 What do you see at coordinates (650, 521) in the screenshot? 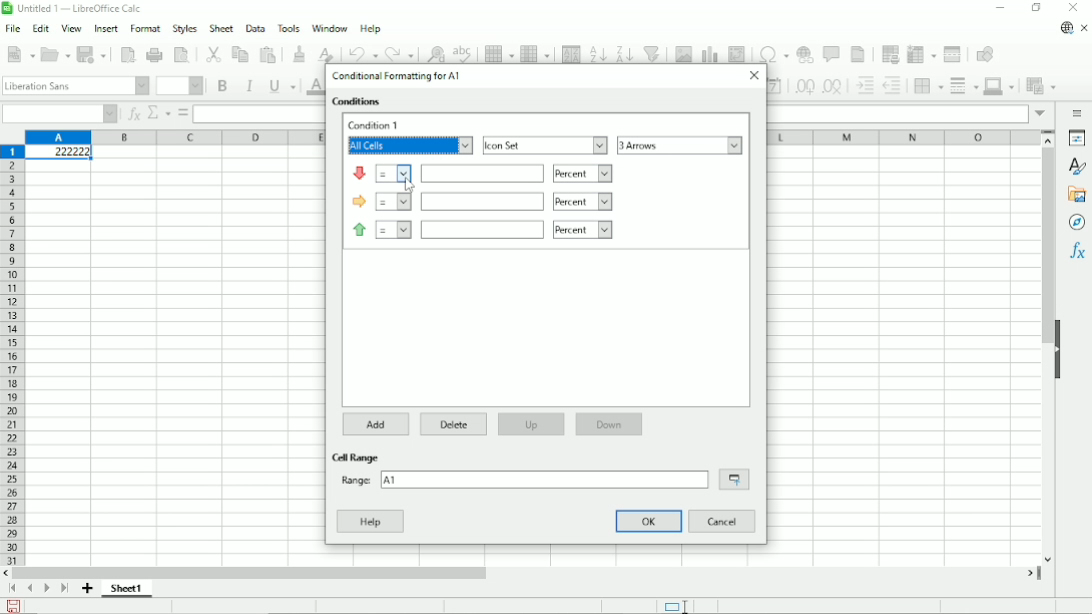
I see `OK` at bounding box center [650, 521].